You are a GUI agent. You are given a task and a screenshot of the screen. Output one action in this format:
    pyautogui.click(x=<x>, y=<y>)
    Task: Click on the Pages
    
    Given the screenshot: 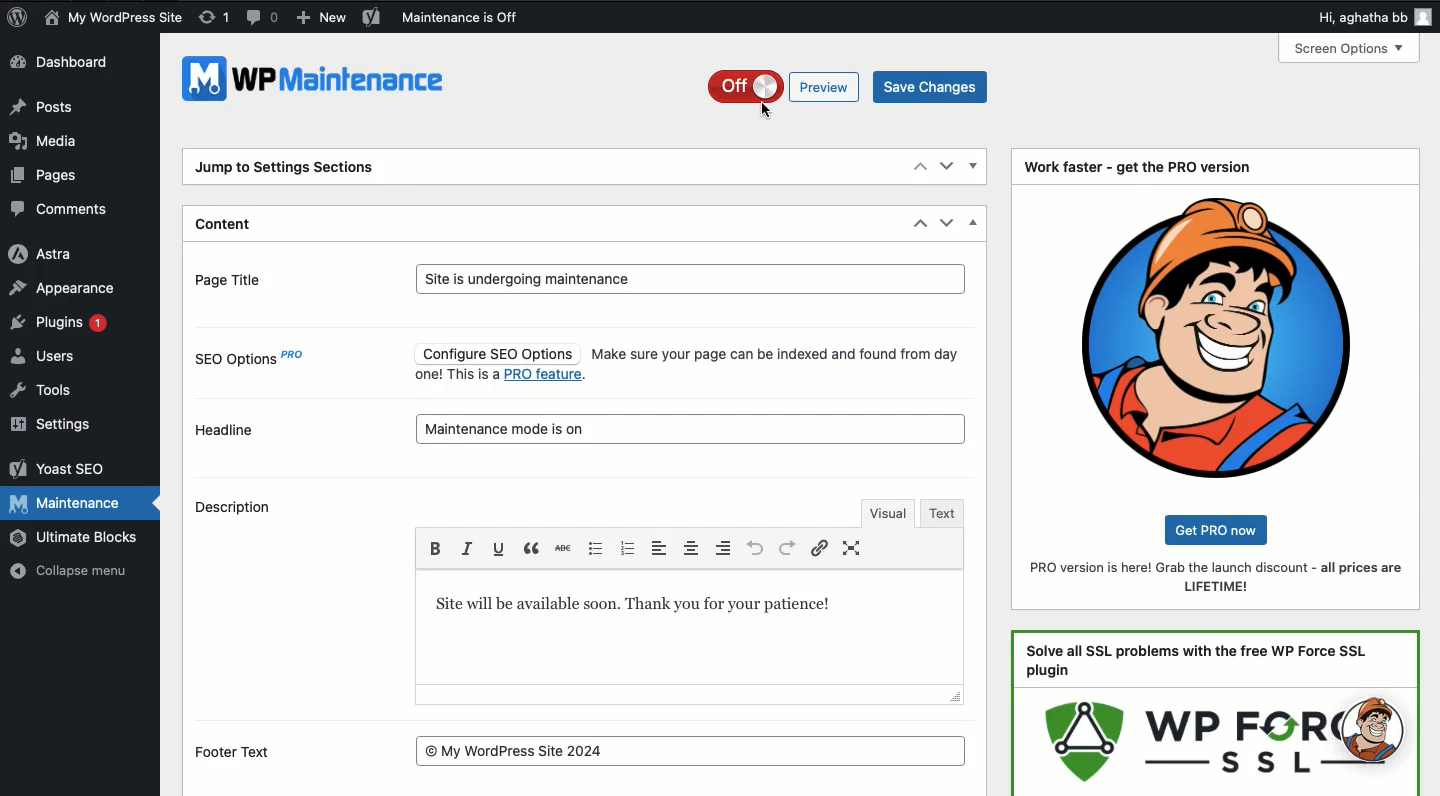 What is the action you would take?
    pyautogui.click(x=49, y=177)
    